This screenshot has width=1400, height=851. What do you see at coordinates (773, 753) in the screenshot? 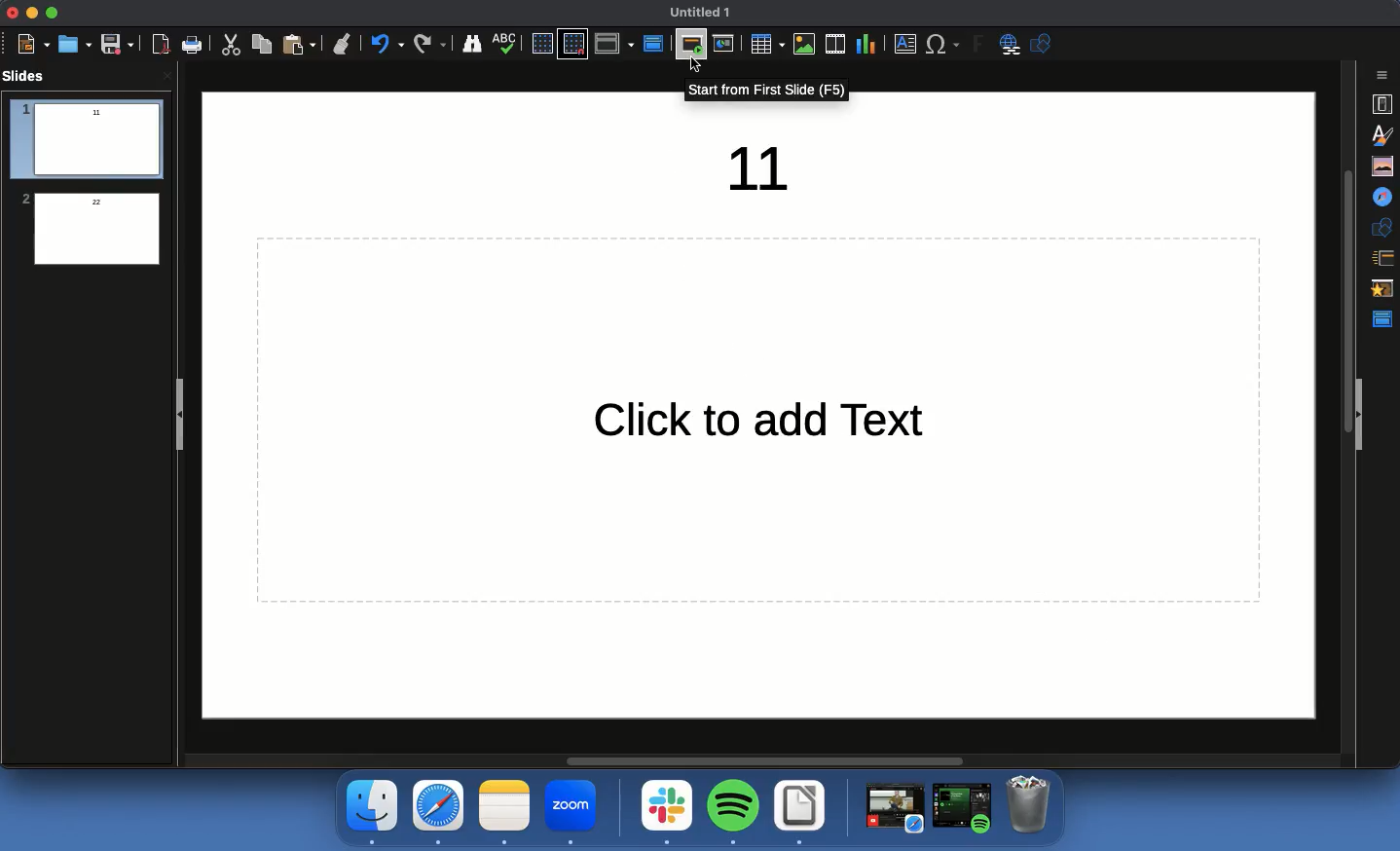
I see `horizontal Scroll` at bounding box center [773, 753].